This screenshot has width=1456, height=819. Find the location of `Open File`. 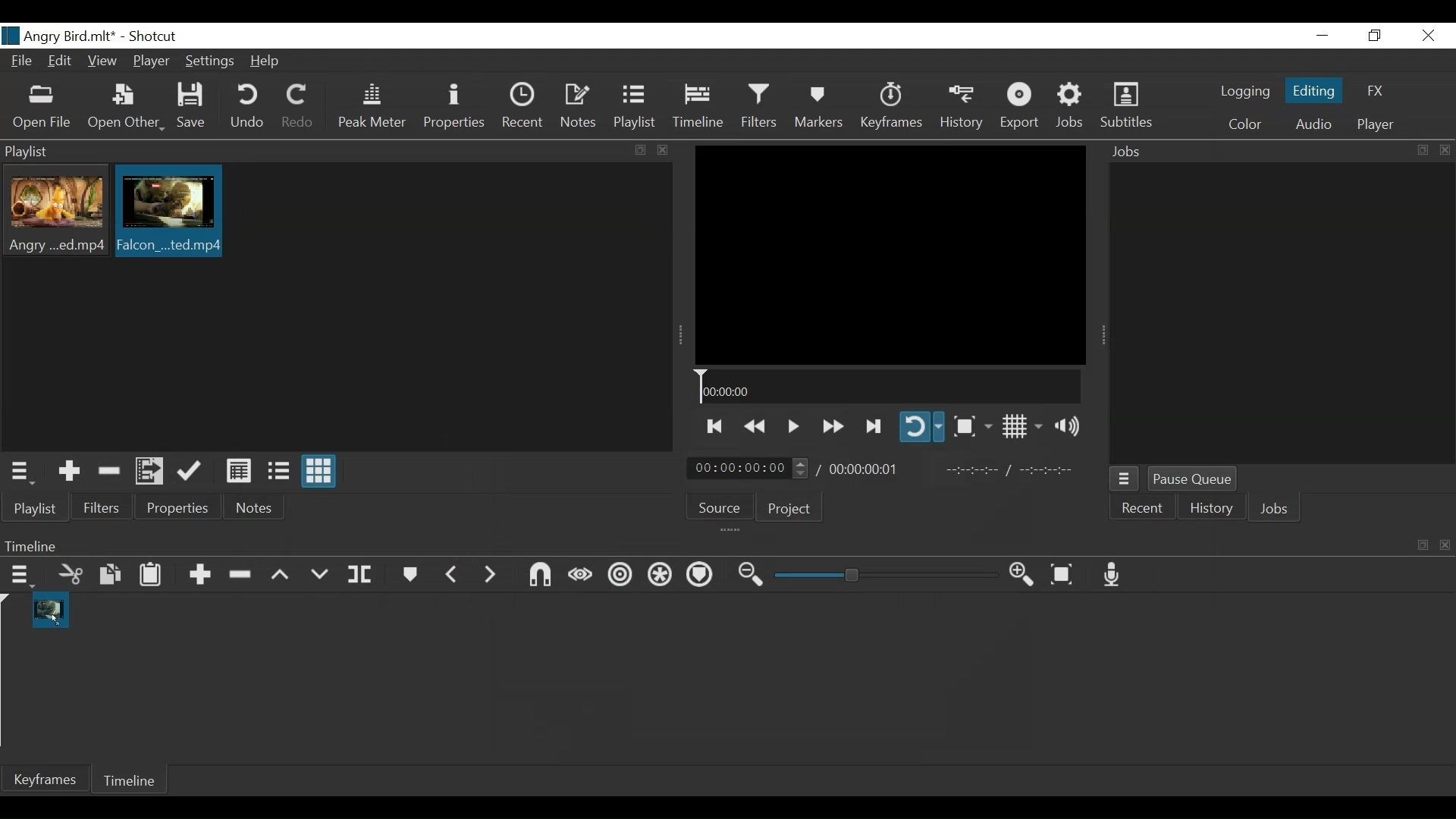

Open File is located at coordinates (42, 108).